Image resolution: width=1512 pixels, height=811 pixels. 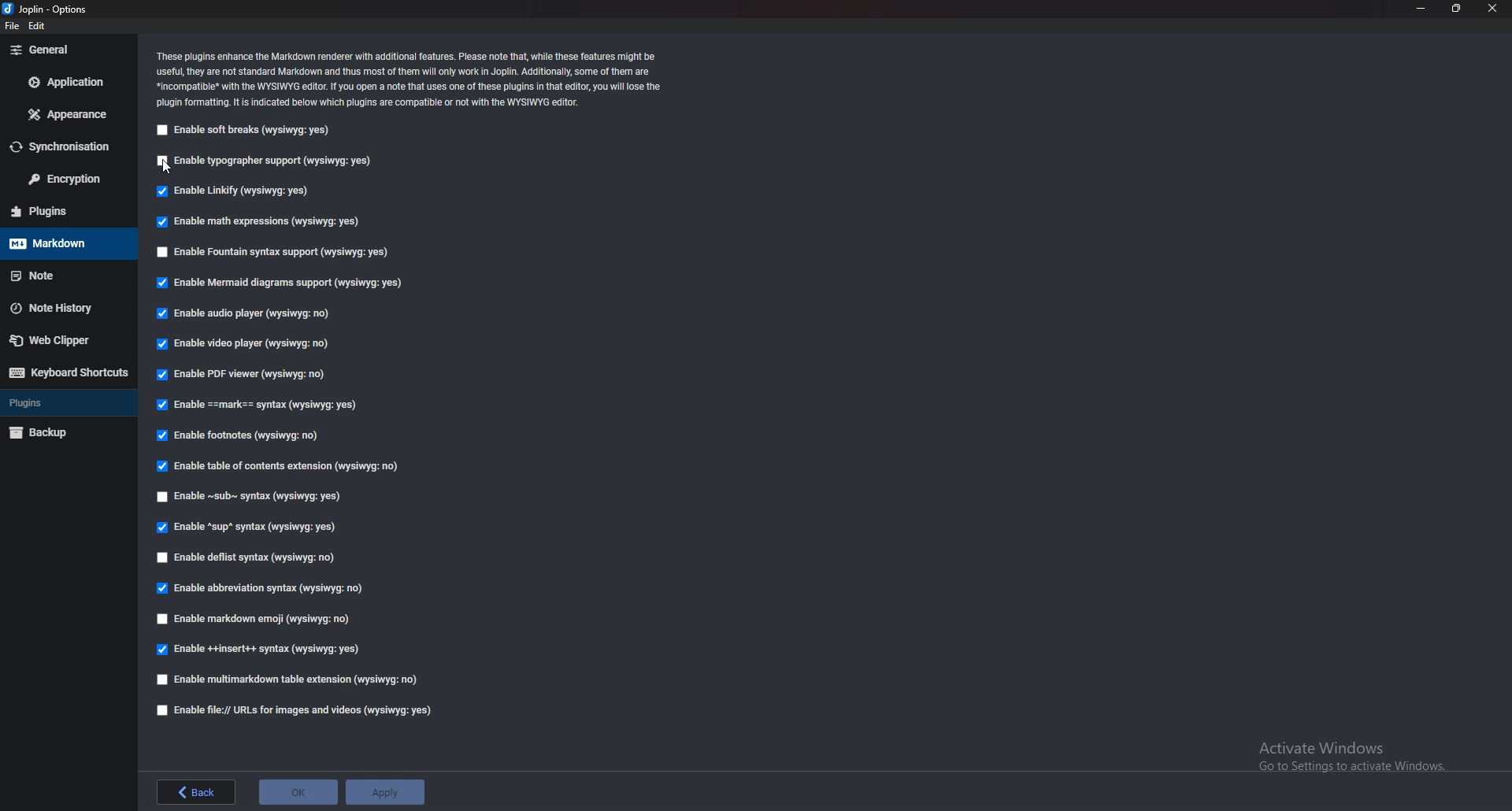 I want to click on close, so click(x=1494, y=8).